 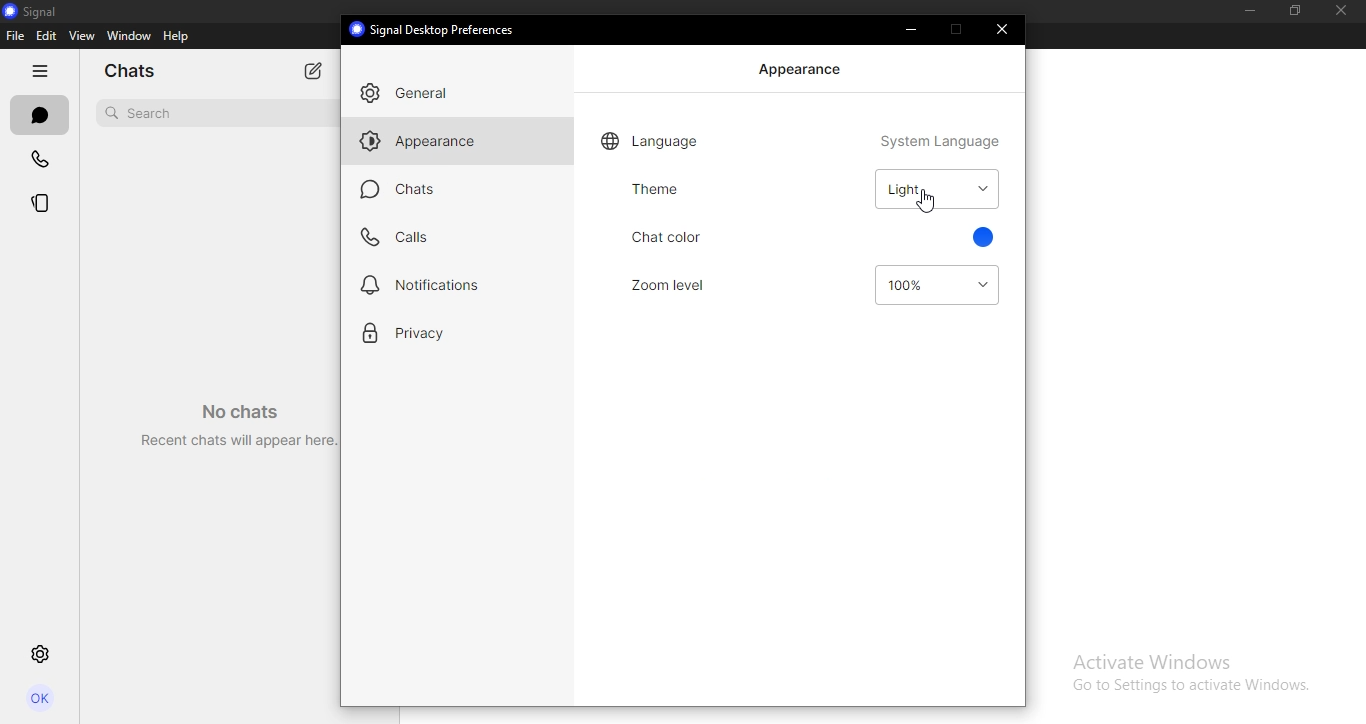 What do you see at coordinates (46, 36) in the screenshot?
I see `edit` at bounding box center [46, 36].